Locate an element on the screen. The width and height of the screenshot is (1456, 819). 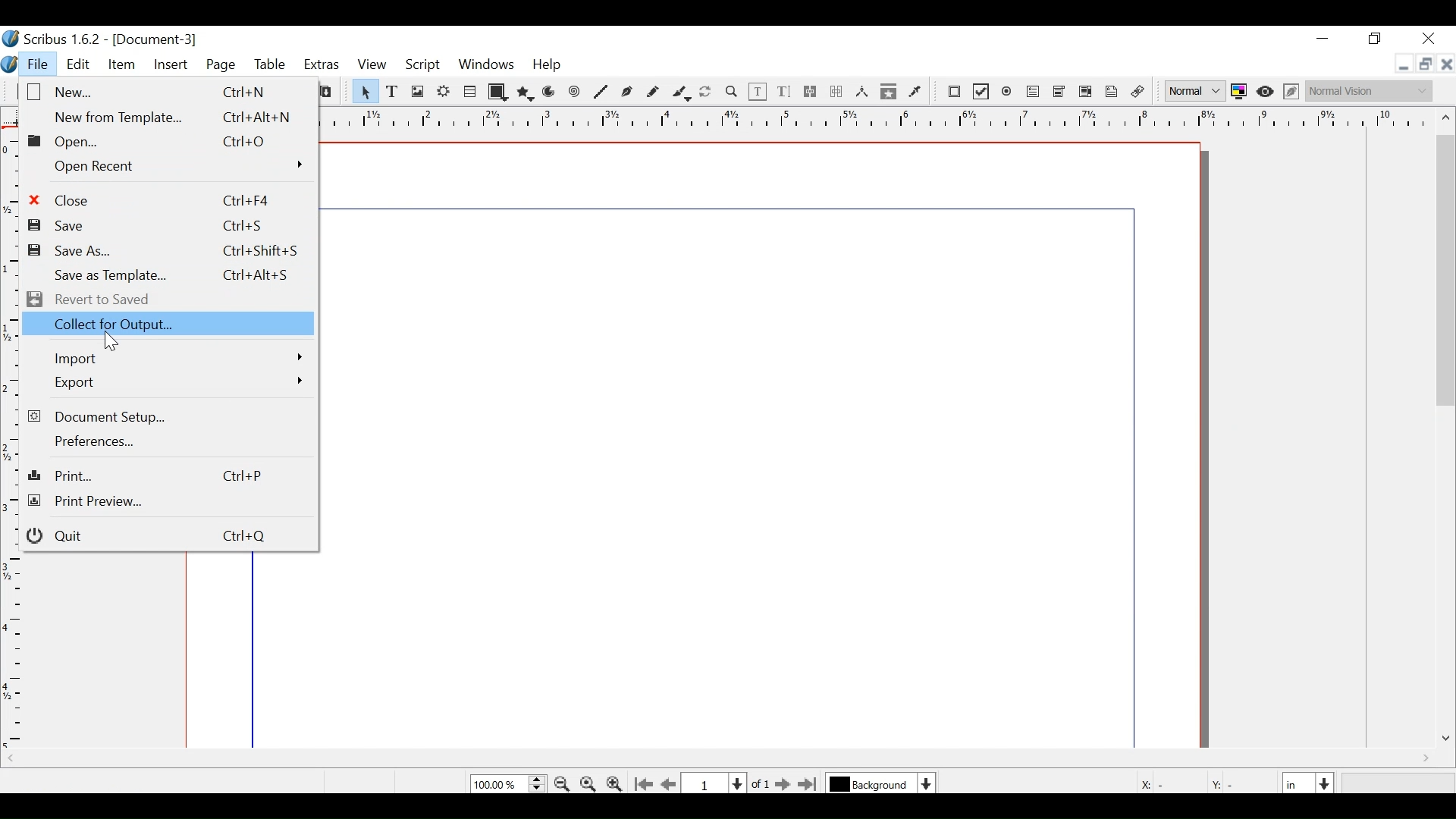
Arc is located at coordinates (549, 93).